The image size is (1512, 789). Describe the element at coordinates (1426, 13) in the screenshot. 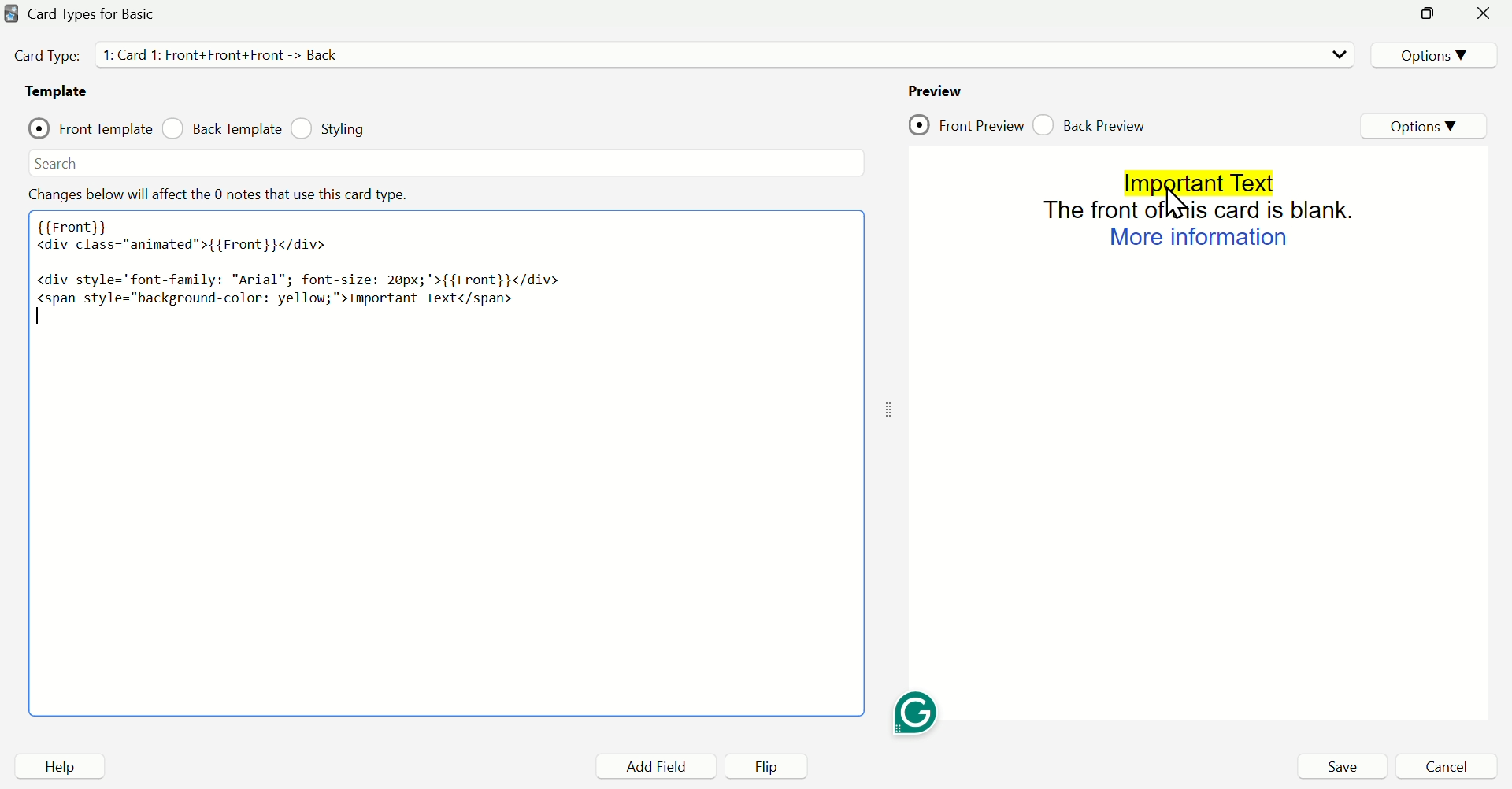

I see `Maximize` at that location.